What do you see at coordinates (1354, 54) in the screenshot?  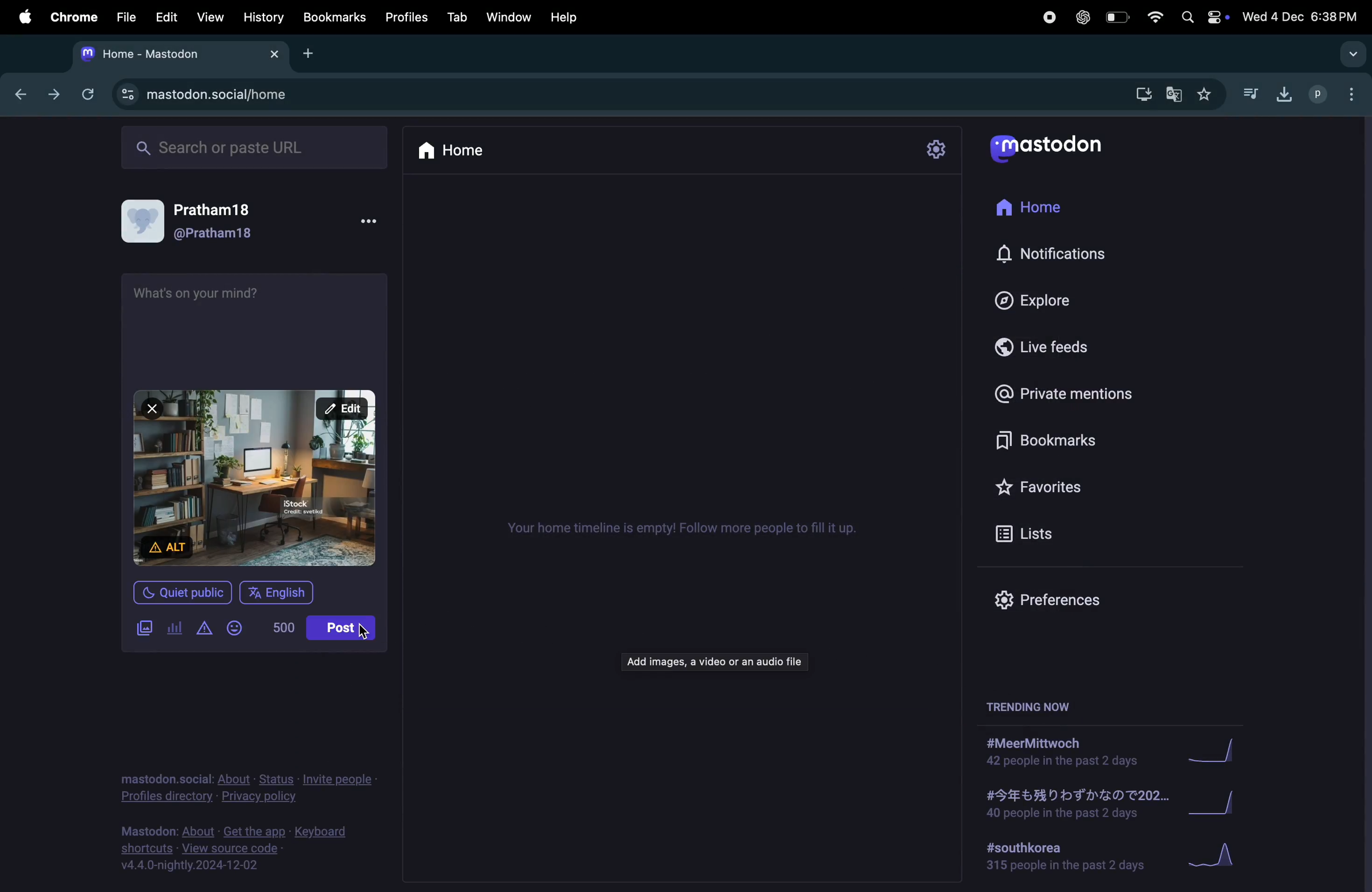 I see `drop down menu` at bounding box center [1354, 54].